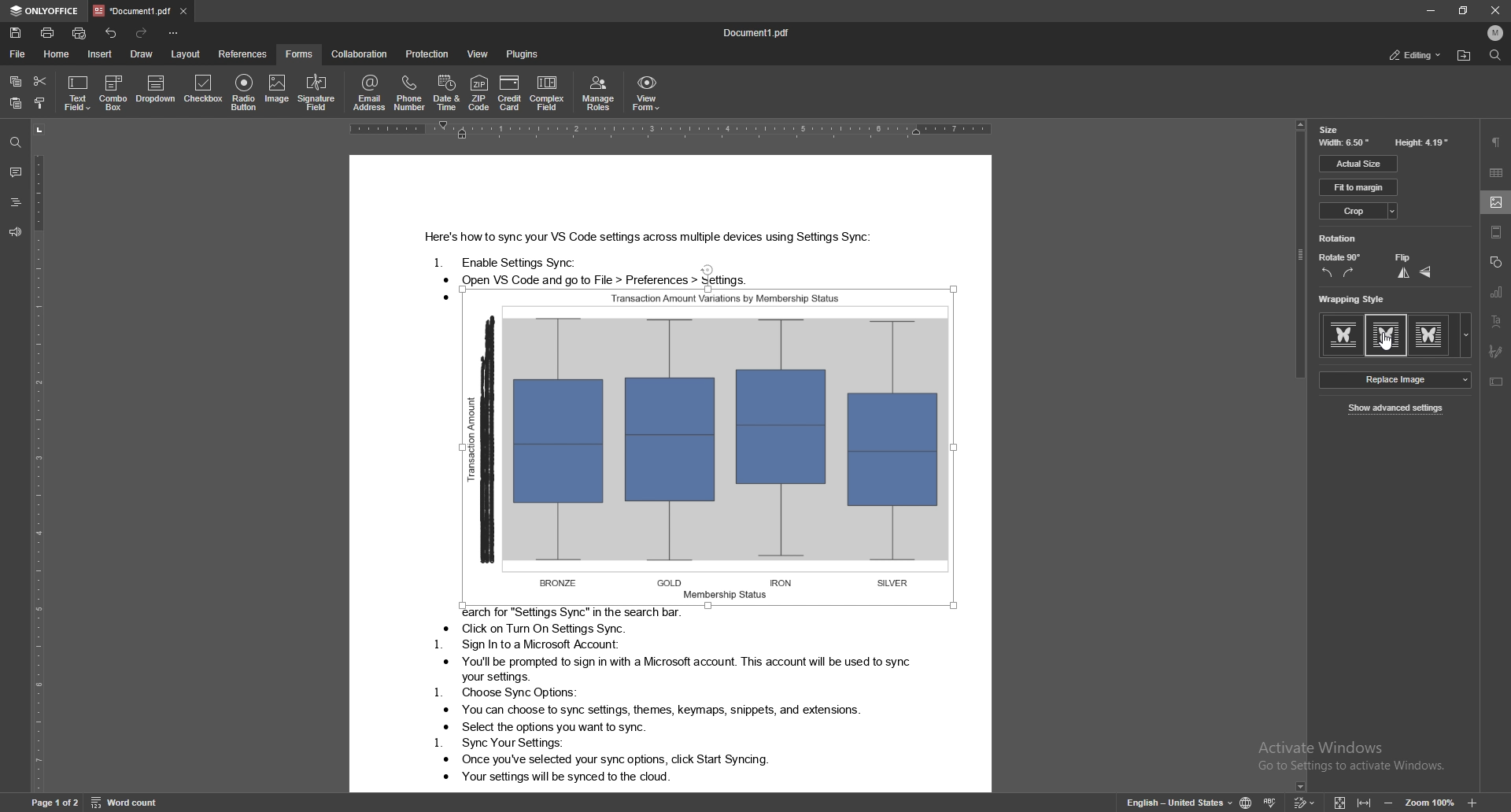 This screenshot has height=812, width=1511. I want to click on change text language, so click(1179, 802).